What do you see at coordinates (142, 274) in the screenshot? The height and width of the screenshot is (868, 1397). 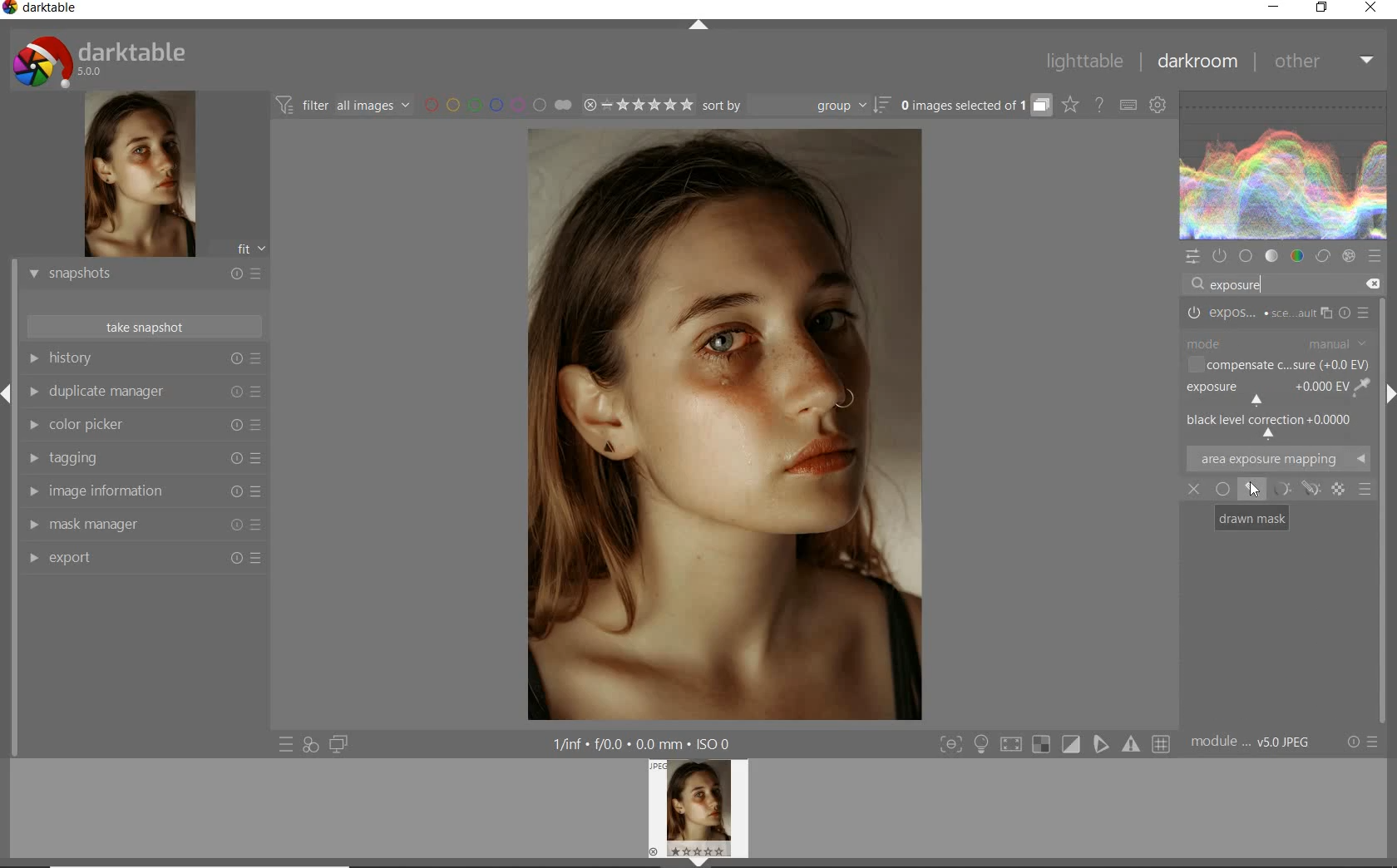 I see `snapshots` at bounding box center [142, 274].